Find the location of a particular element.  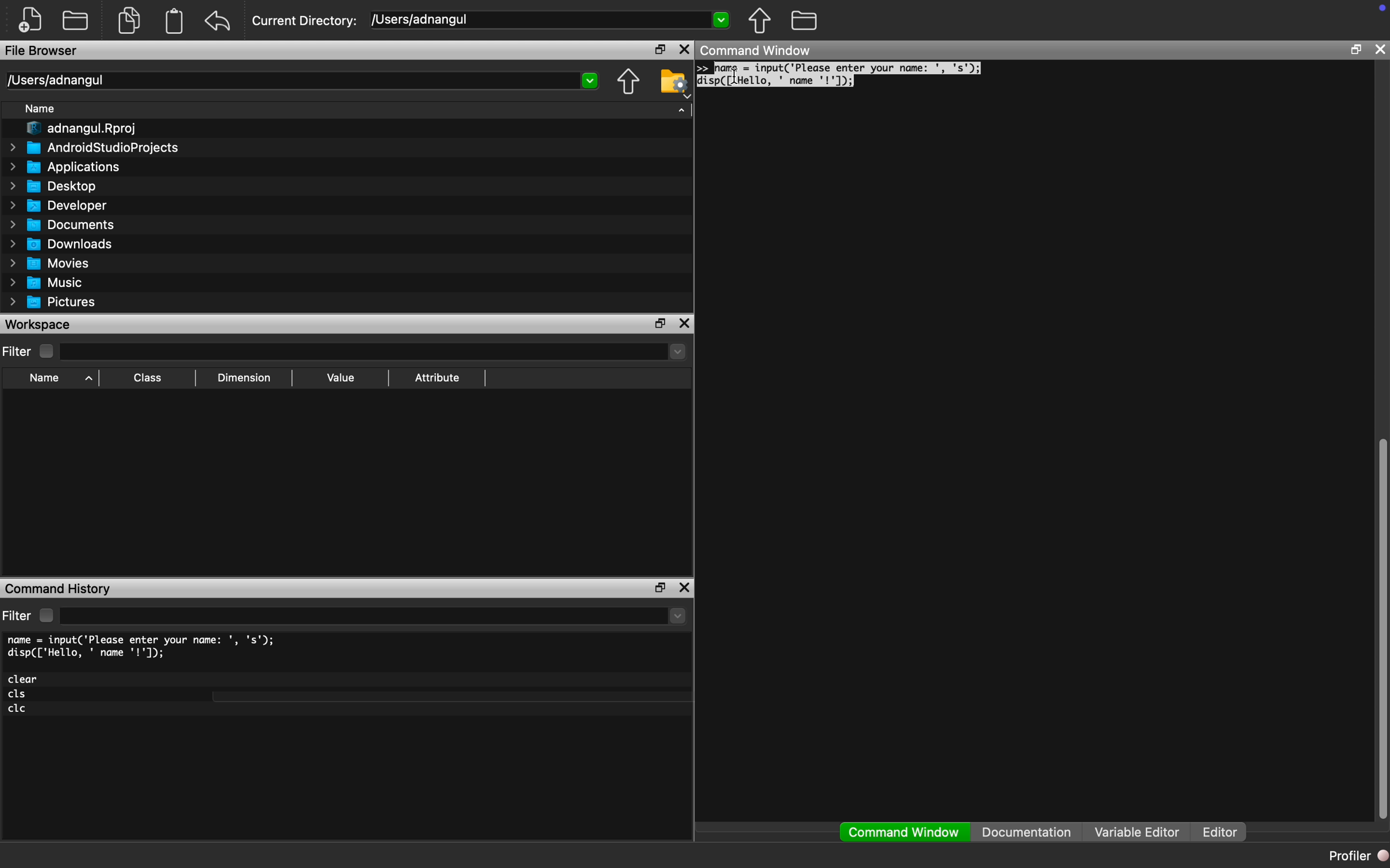

maximize is located at coordinates (658, 588).